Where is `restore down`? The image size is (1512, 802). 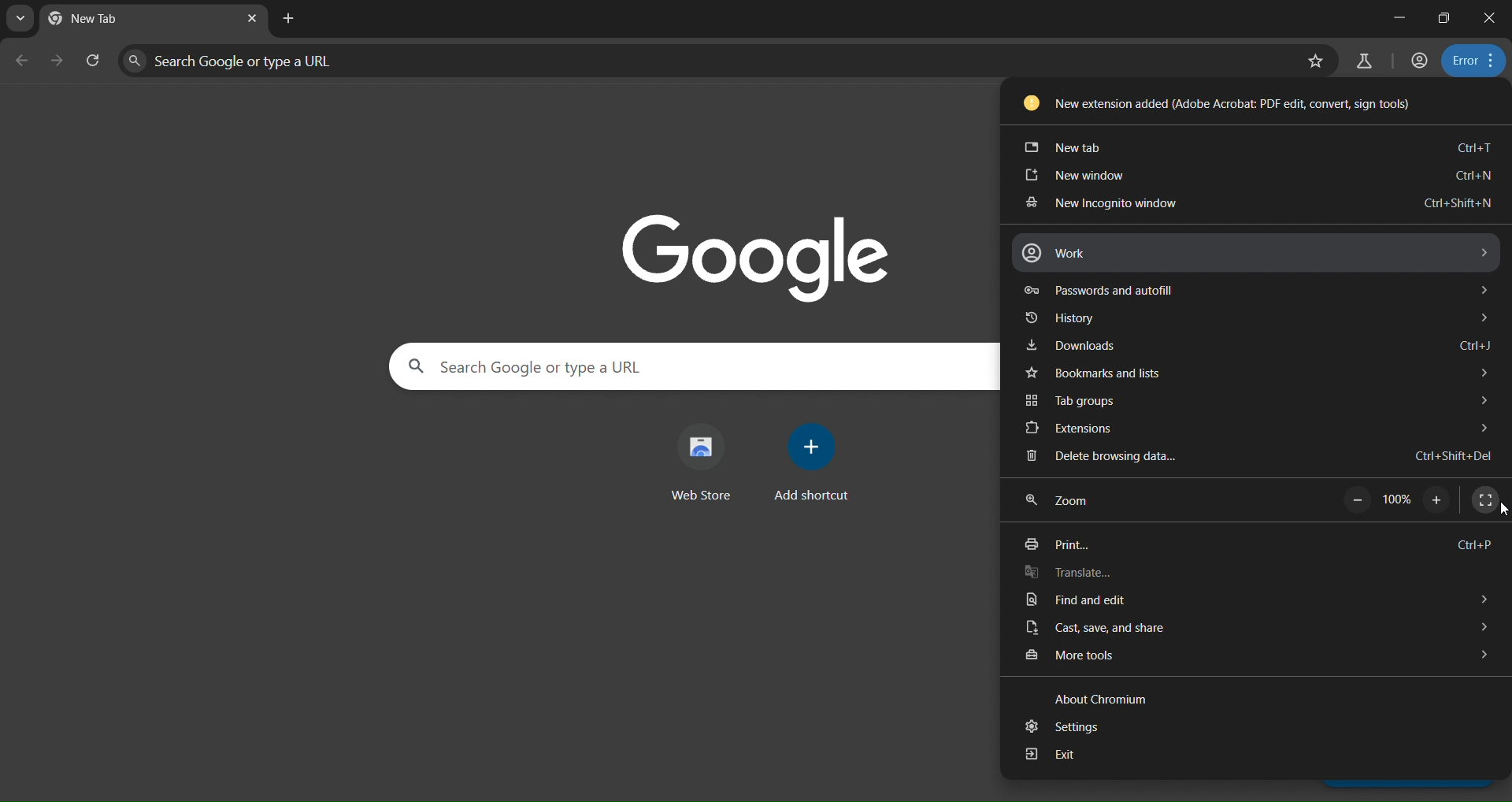 restore down is located at coordinates (1444, 20).